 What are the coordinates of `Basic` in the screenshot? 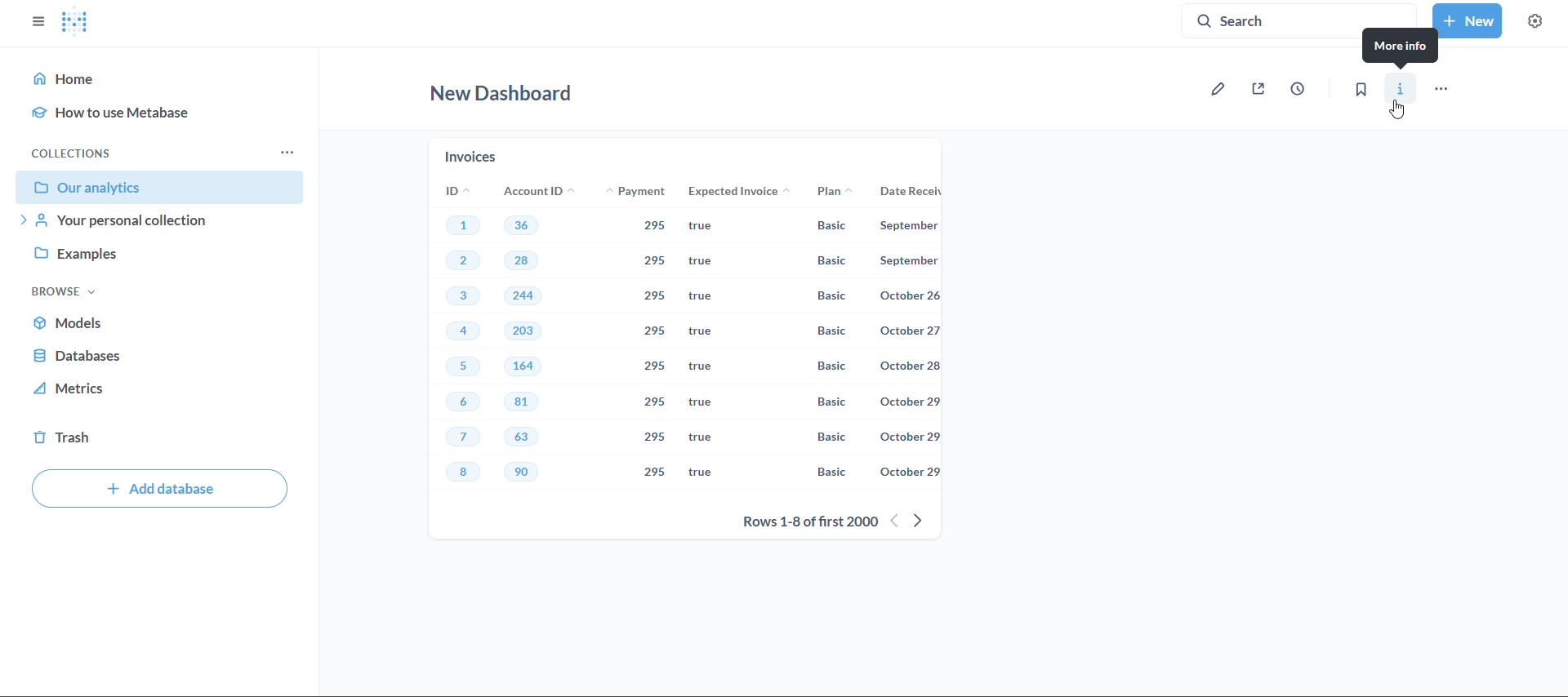 It's located at (836, 366).